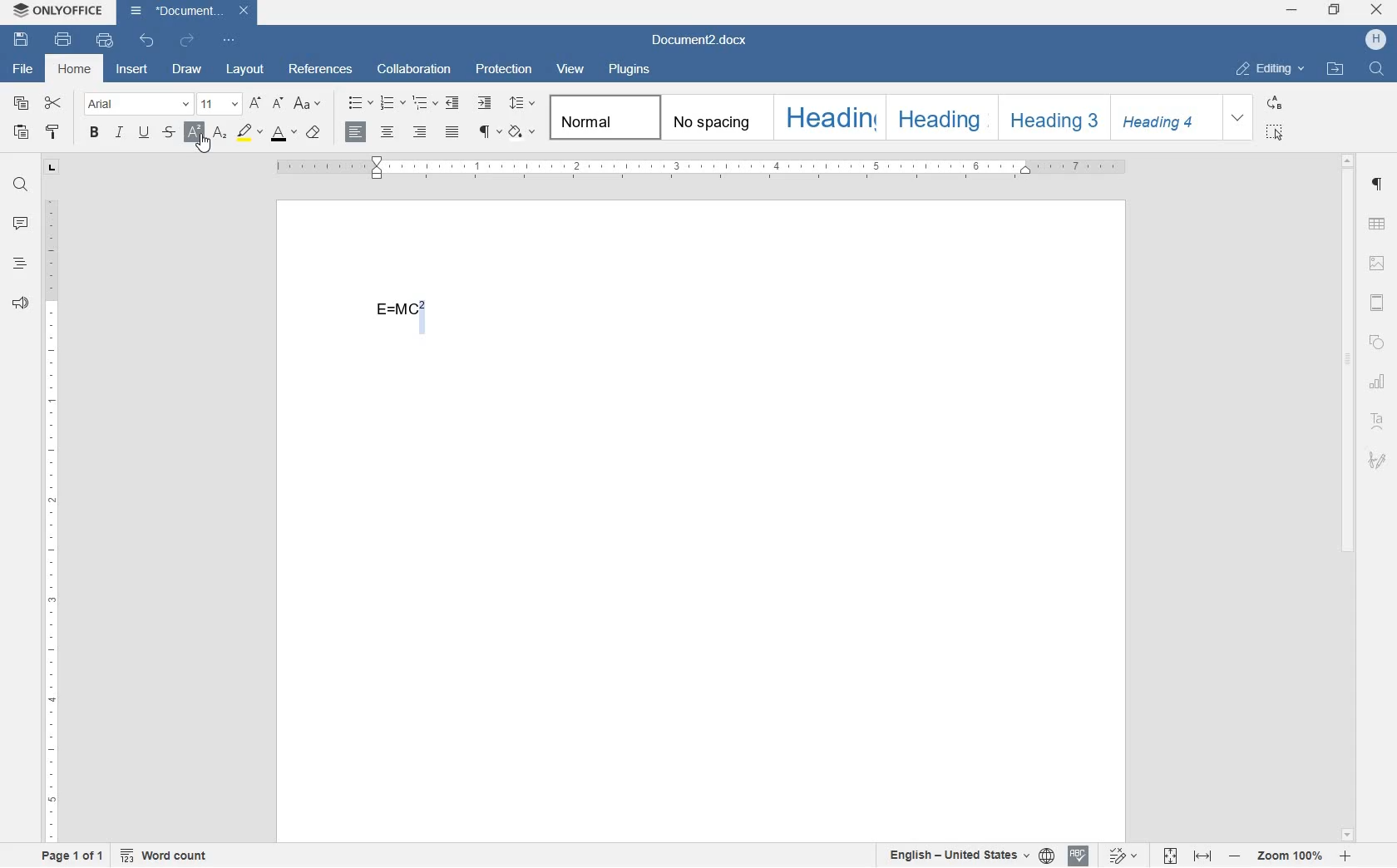 The image size is (1397, 868). Describe the element at coordinates (323, 68) in the screenshot. I see `references` at that location.